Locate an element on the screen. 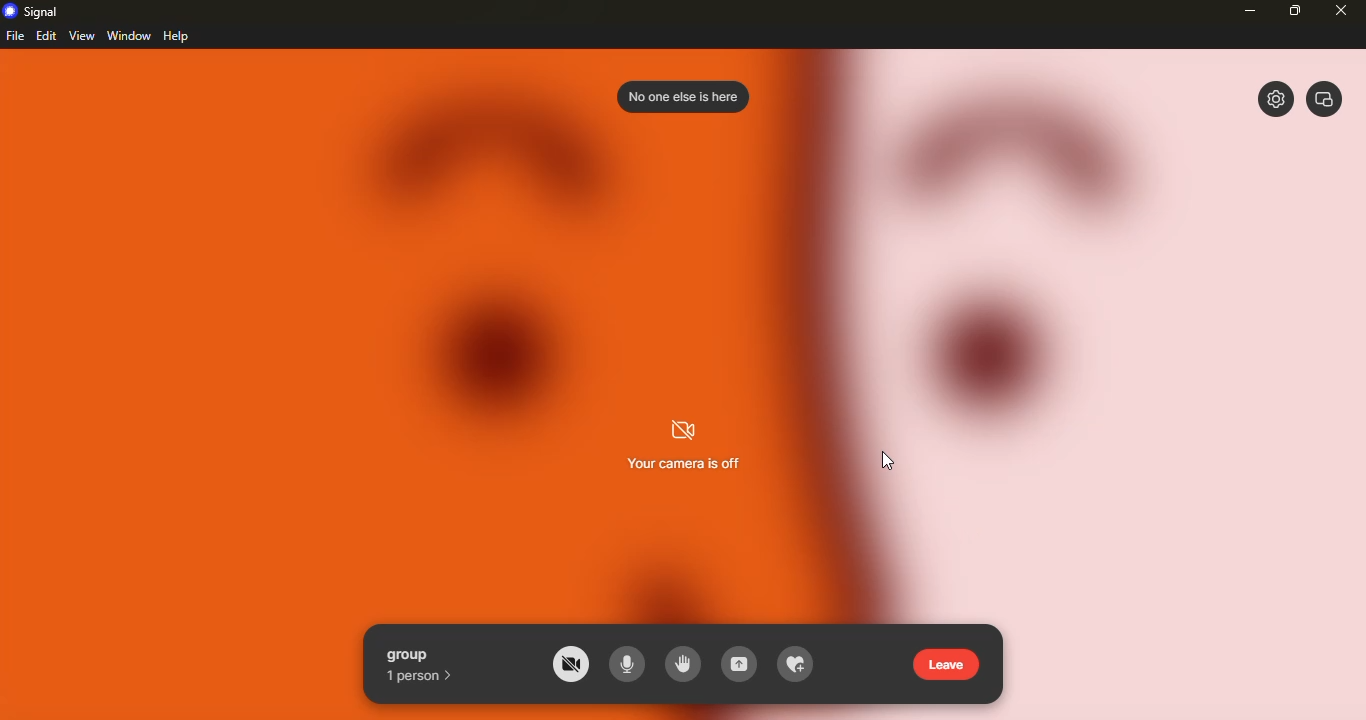 The width and height of the screenshot is (1366, 720). view is located at coordinates (83, 36).